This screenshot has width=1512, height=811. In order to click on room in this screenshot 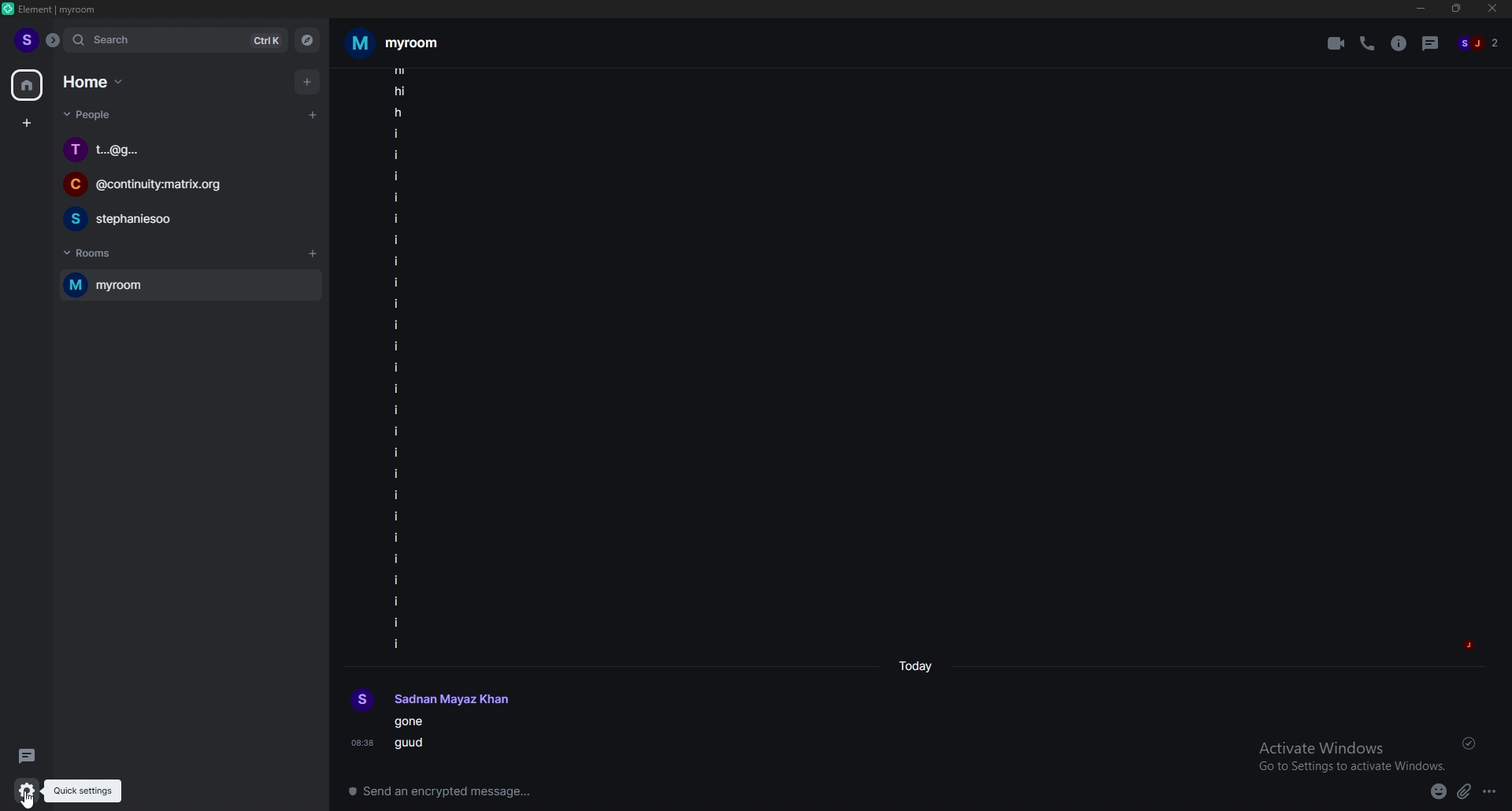, I will do `click(393, 43)`.